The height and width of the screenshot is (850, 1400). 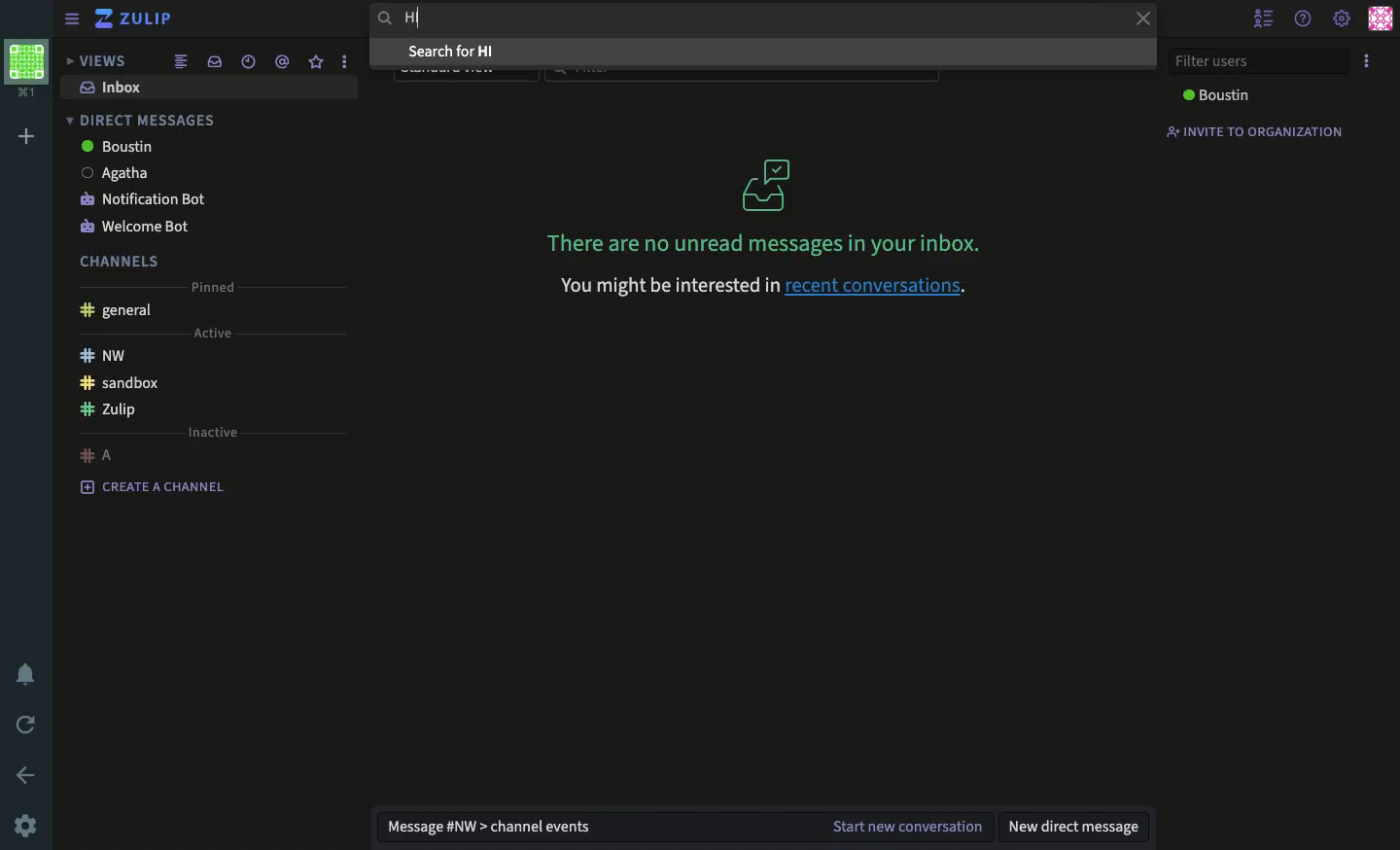 What do you see at coordinates (1301, 21) in the screenshot?
I see `help` at bounding box center [1301, 21].